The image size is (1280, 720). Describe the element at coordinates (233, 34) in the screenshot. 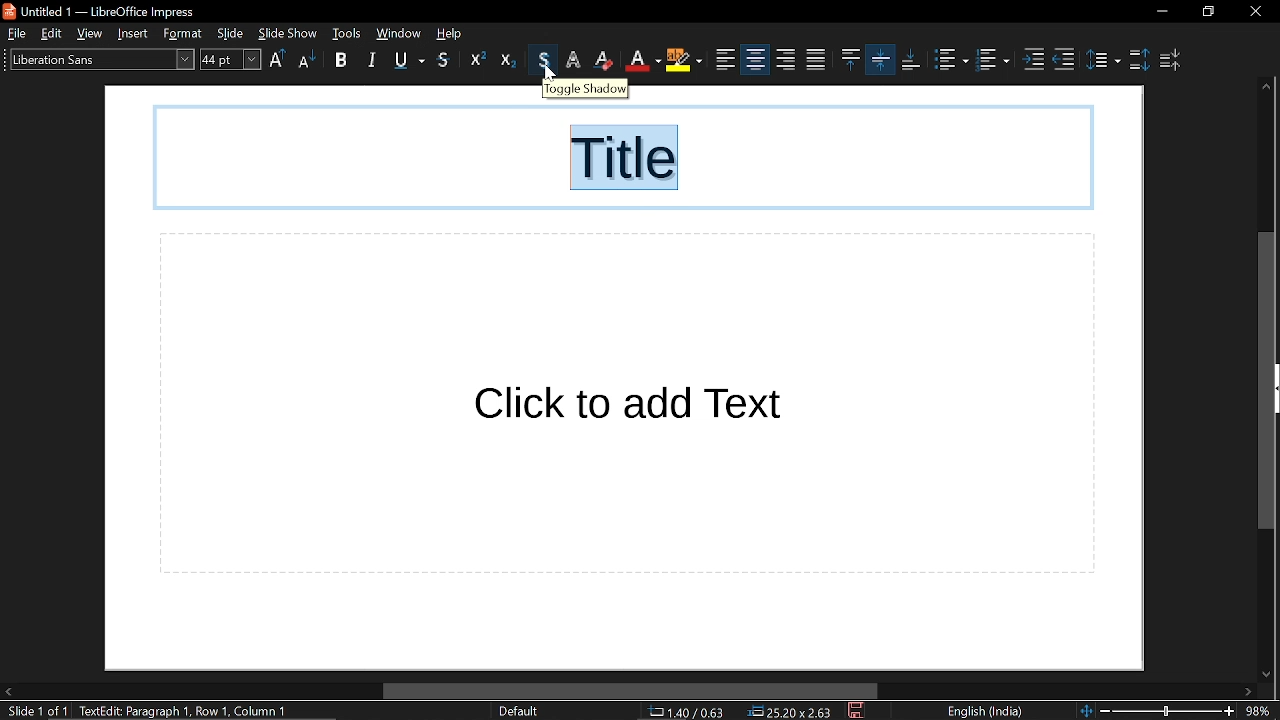

I see `slide` at that location.